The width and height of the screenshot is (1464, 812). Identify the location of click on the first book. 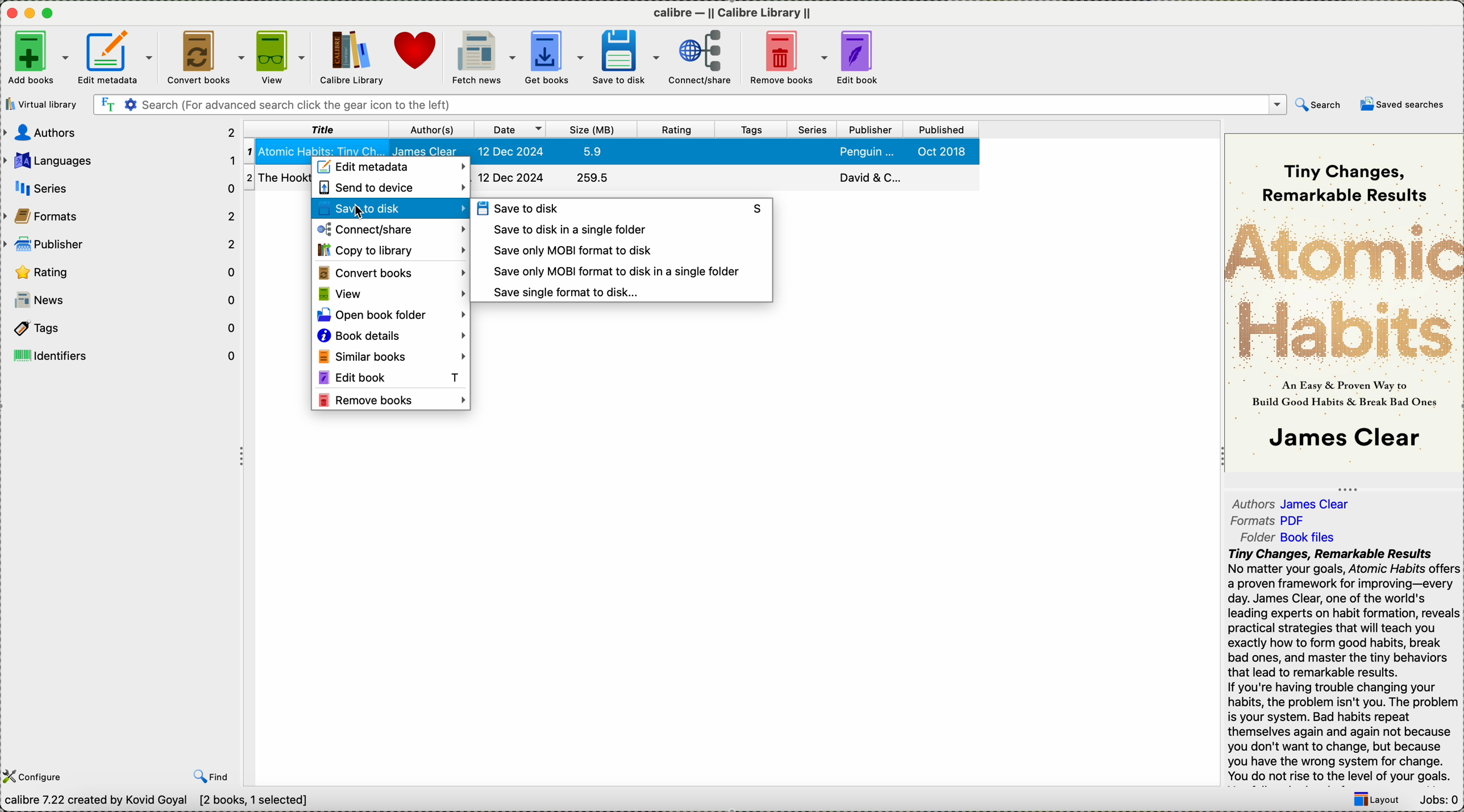
(609, 148).